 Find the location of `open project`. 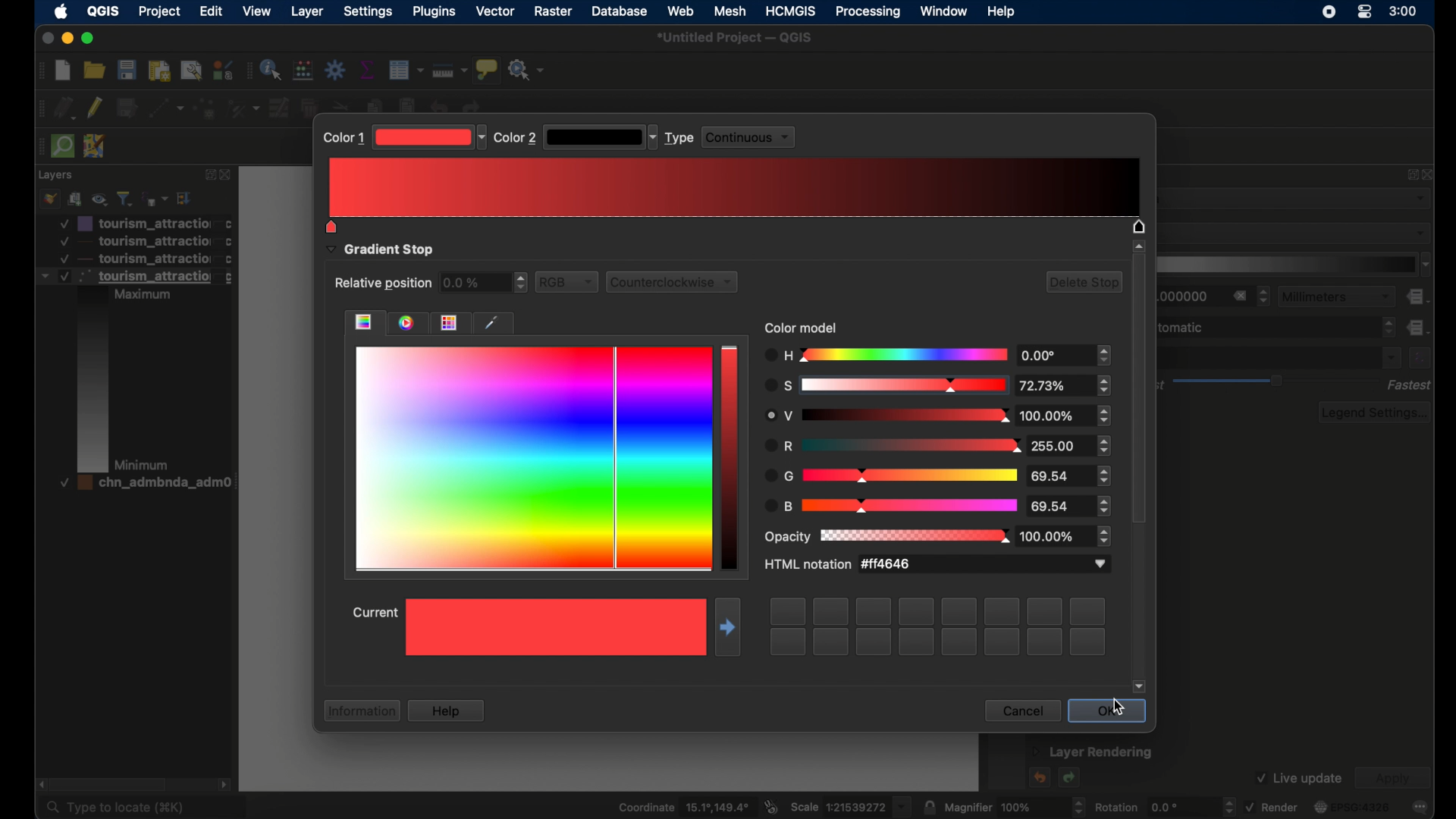

open project is located at coordinates (95, 70).